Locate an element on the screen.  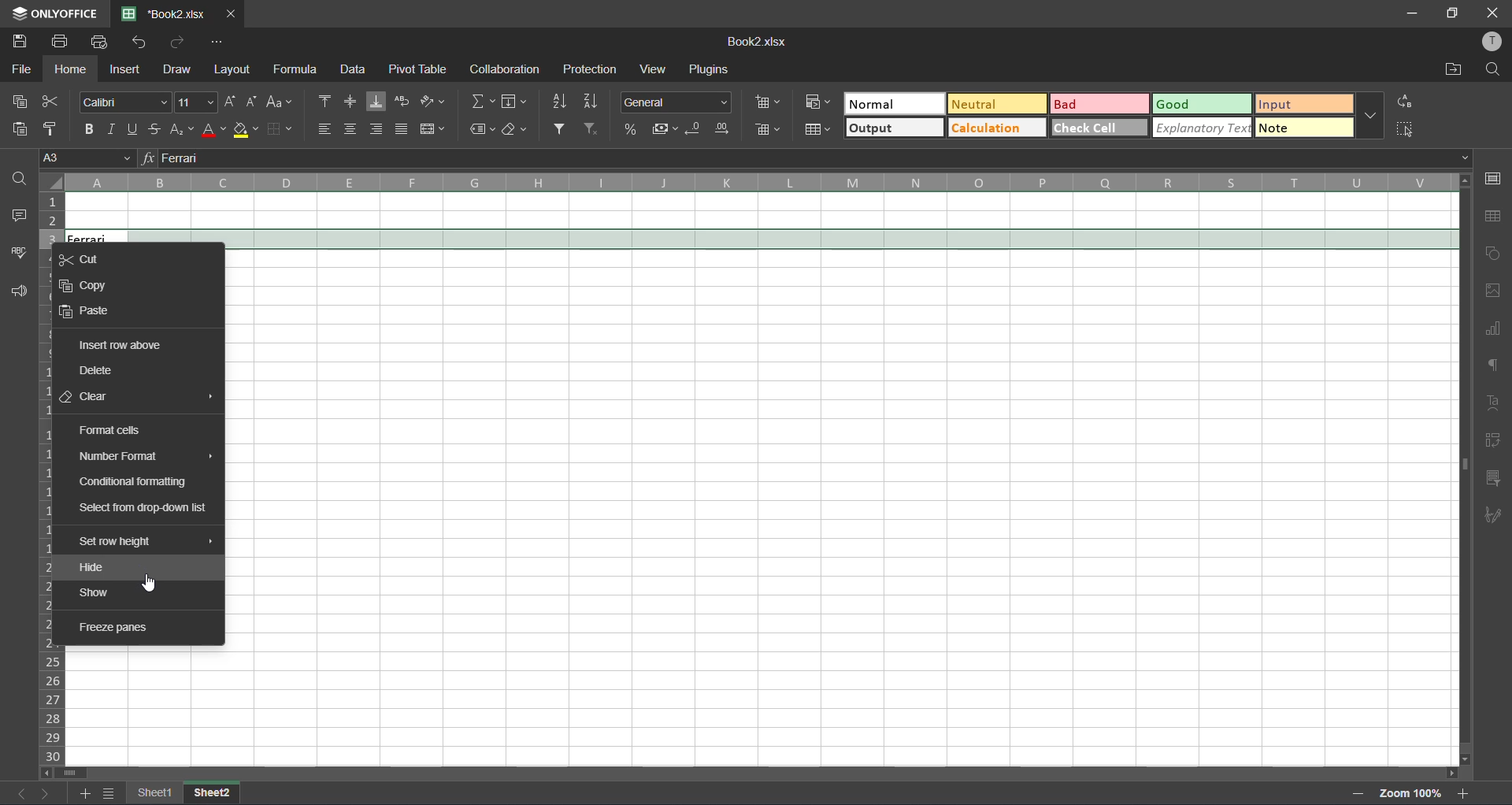
layout is located at coordinates (234, 72).